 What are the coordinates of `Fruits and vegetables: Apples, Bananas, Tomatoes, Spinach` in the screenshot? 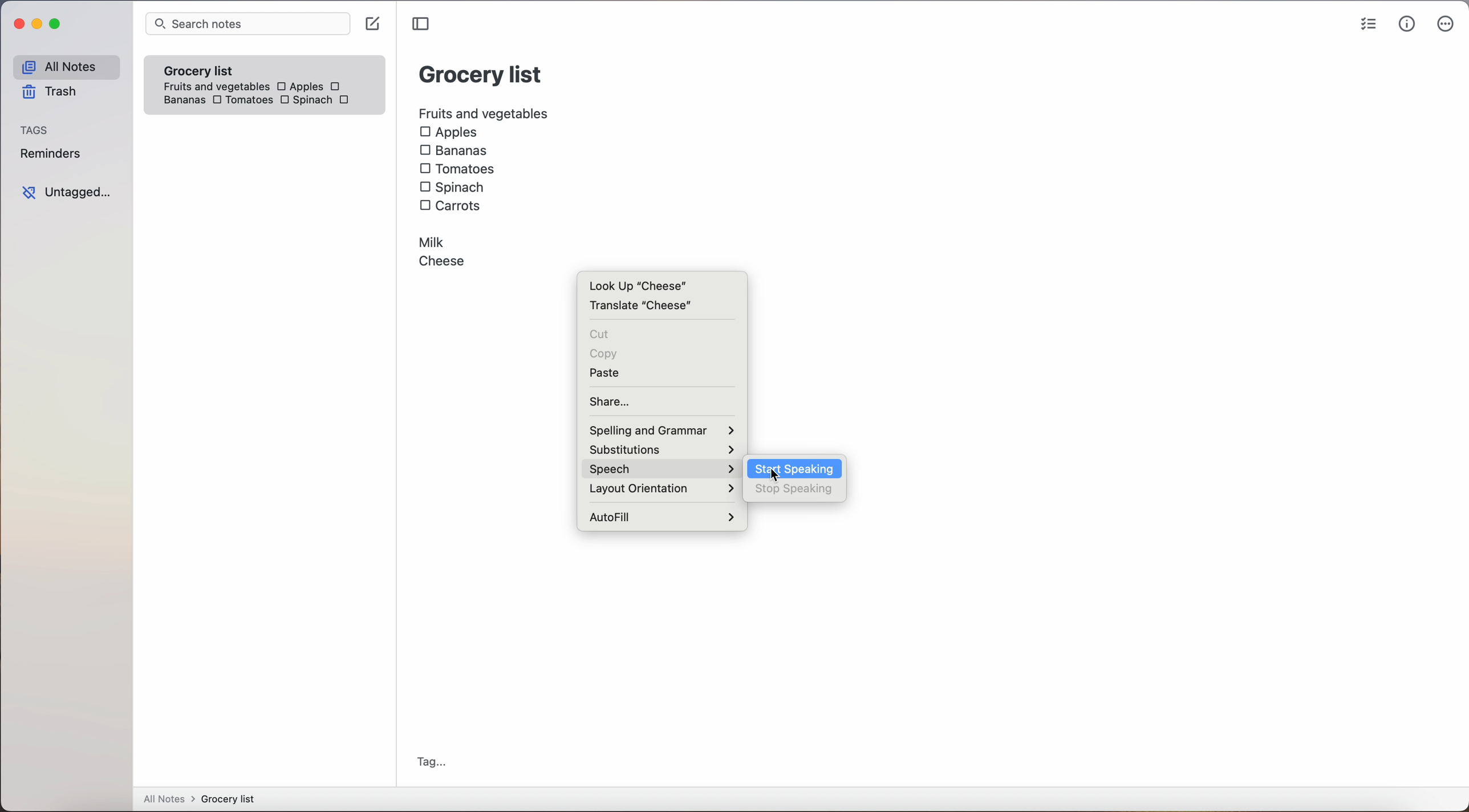 It's located at (268, 90).